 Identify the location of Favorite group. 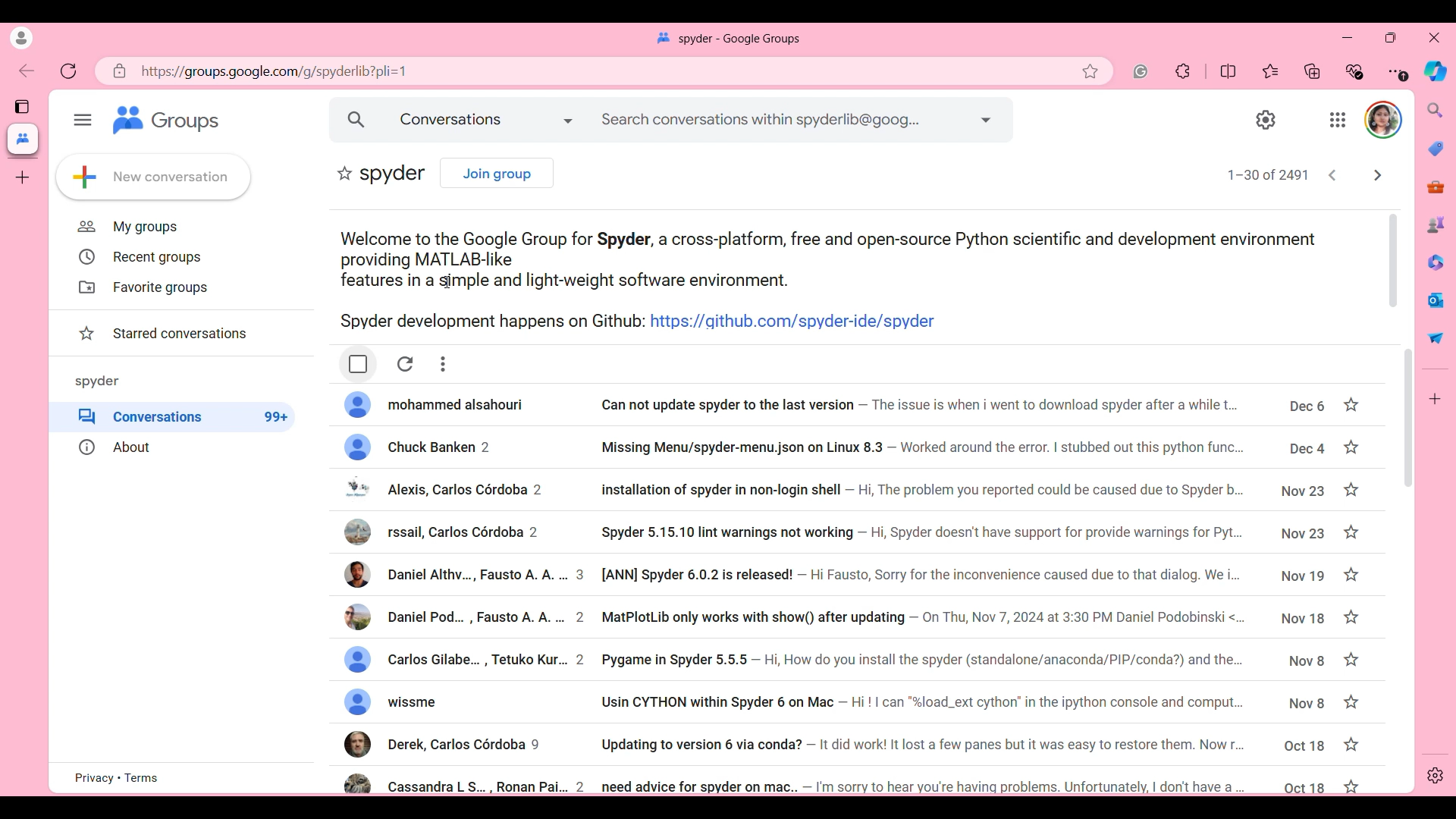
(345, 173).